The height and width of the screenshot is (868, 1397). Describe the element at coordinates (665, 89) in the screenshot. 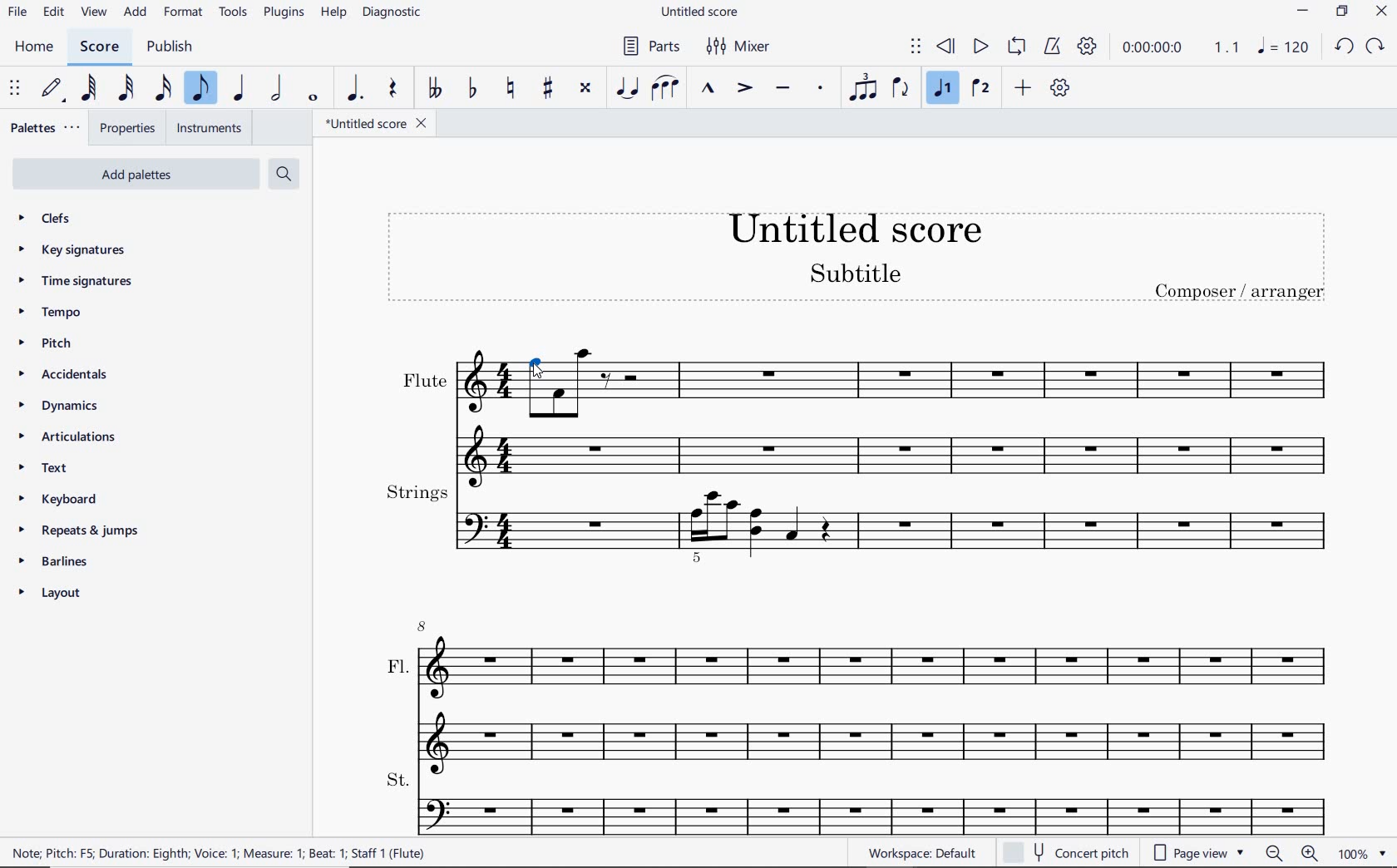

I see `SLUR` at that location.